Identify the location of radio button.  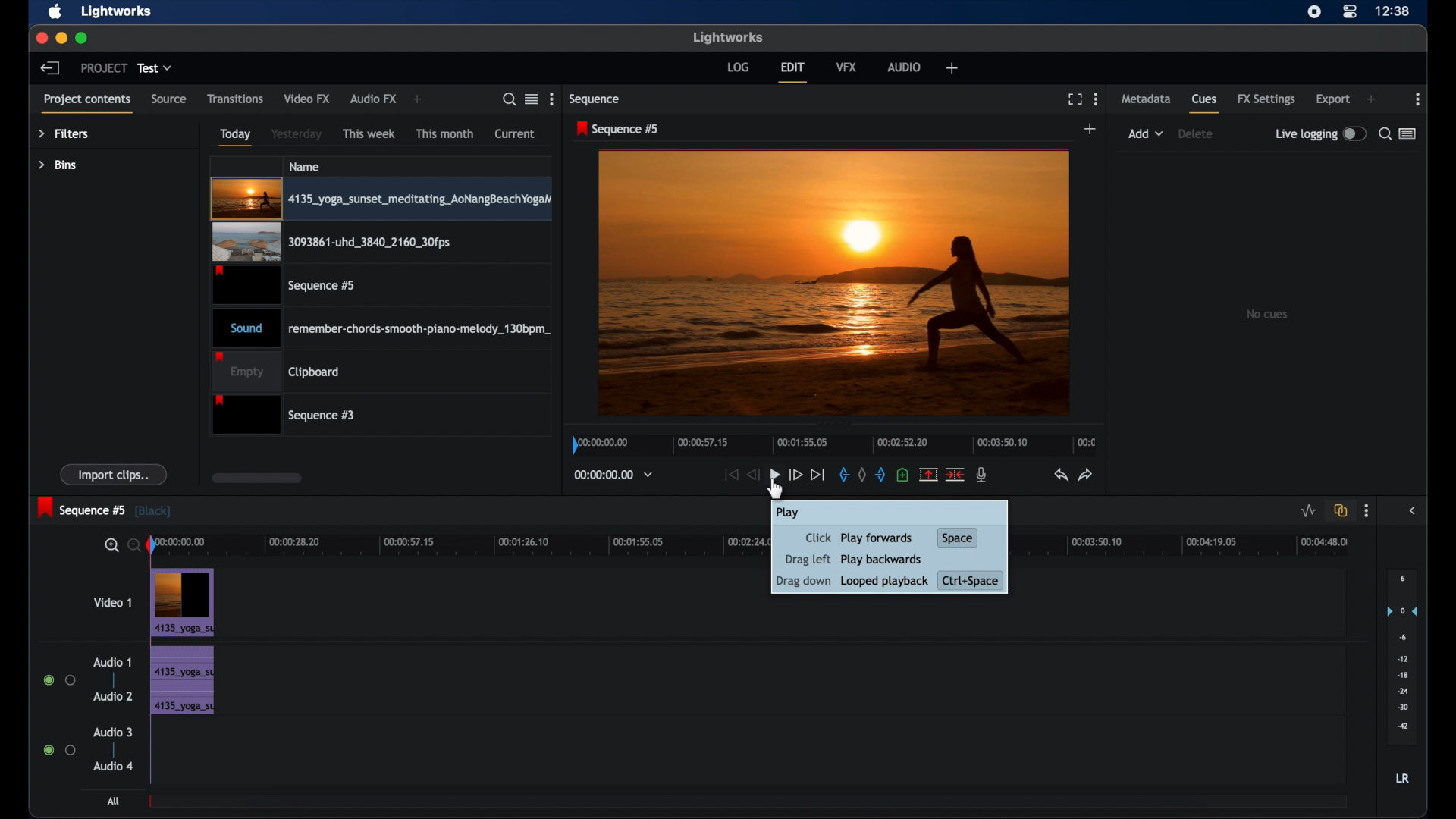
(59, 750).